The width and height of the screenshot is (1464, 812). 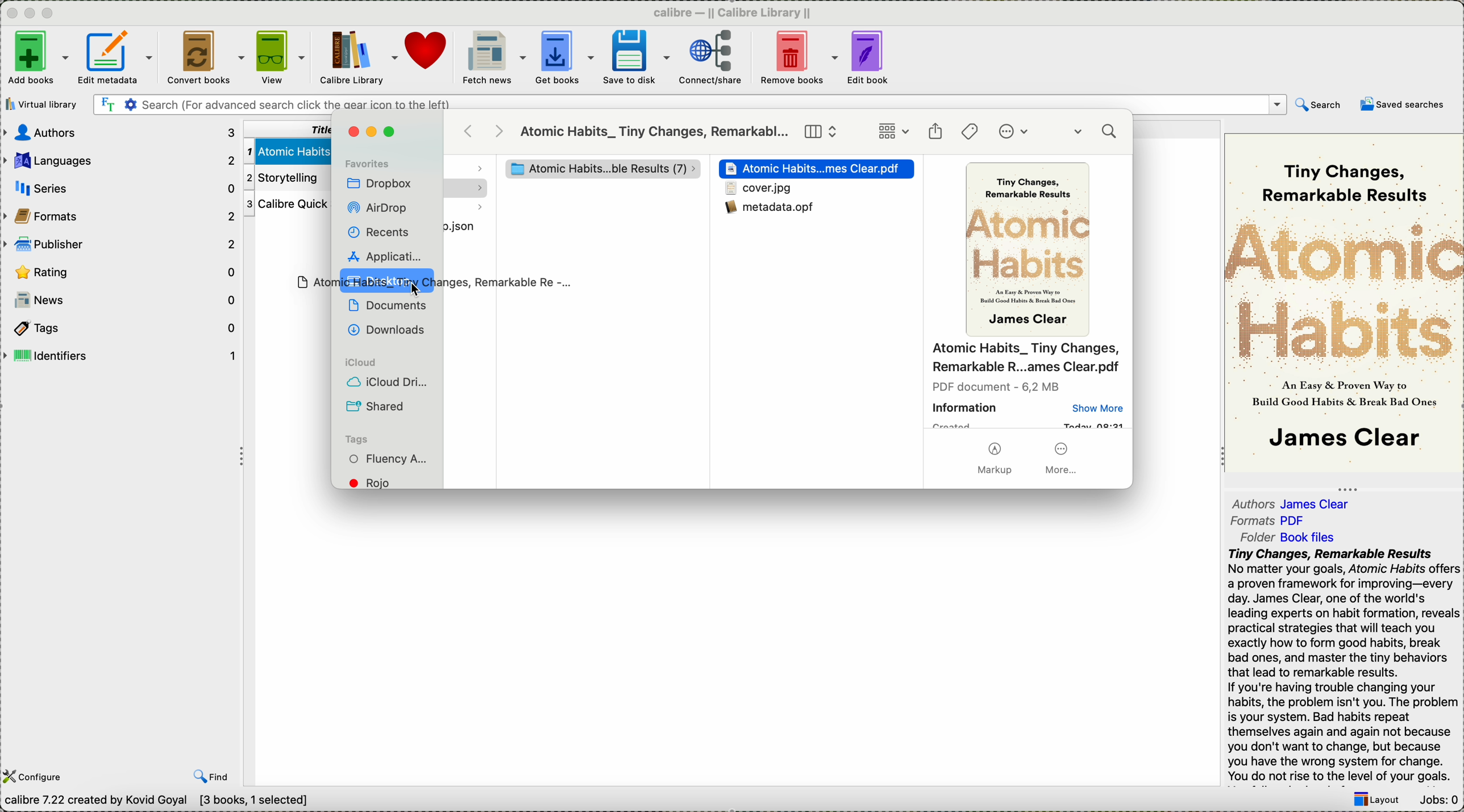 I want to click on Dropbox, so click(x=380, y=185).